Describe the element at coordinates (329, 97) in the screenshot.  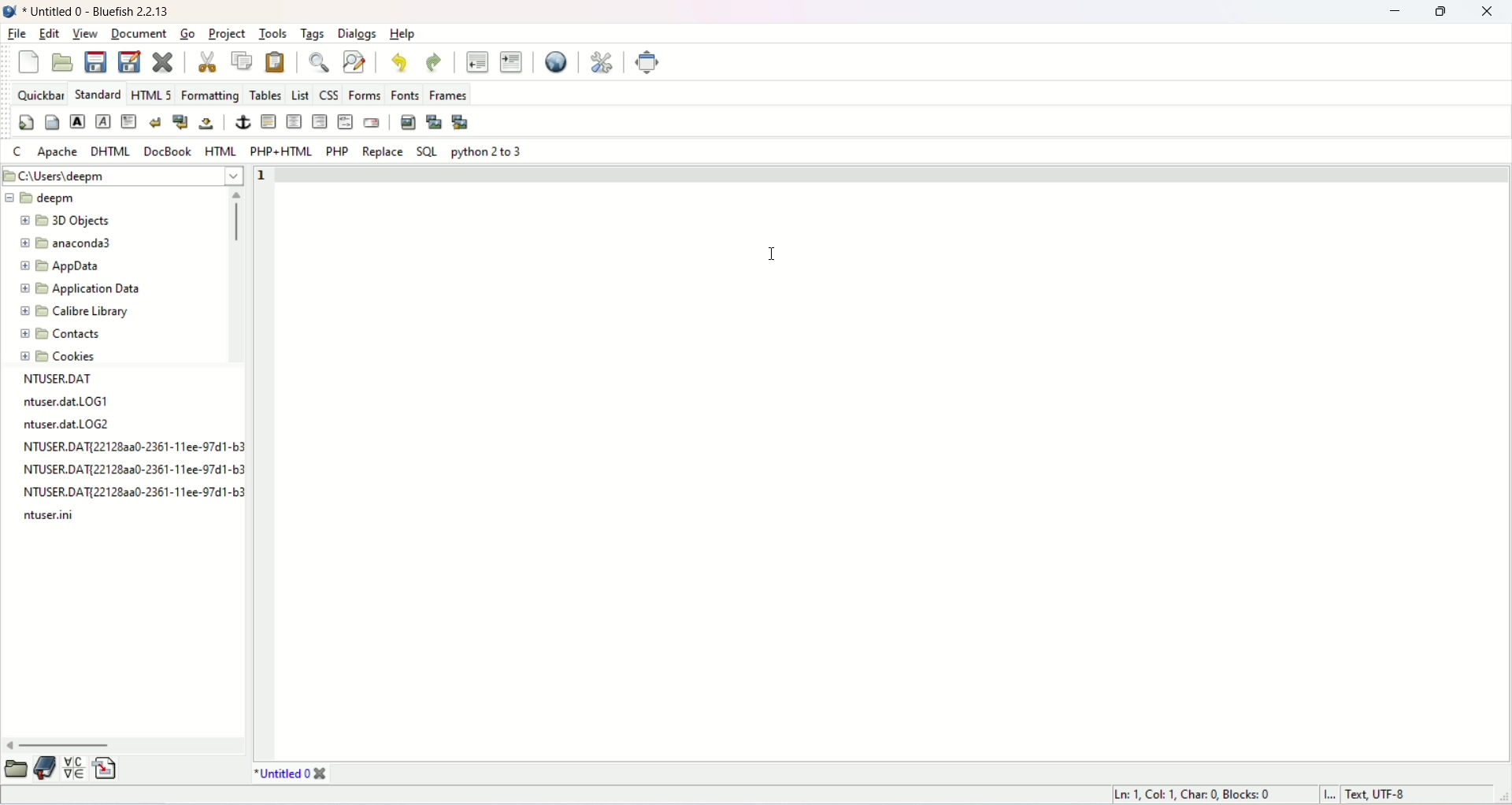
I see `CSS` at that location.